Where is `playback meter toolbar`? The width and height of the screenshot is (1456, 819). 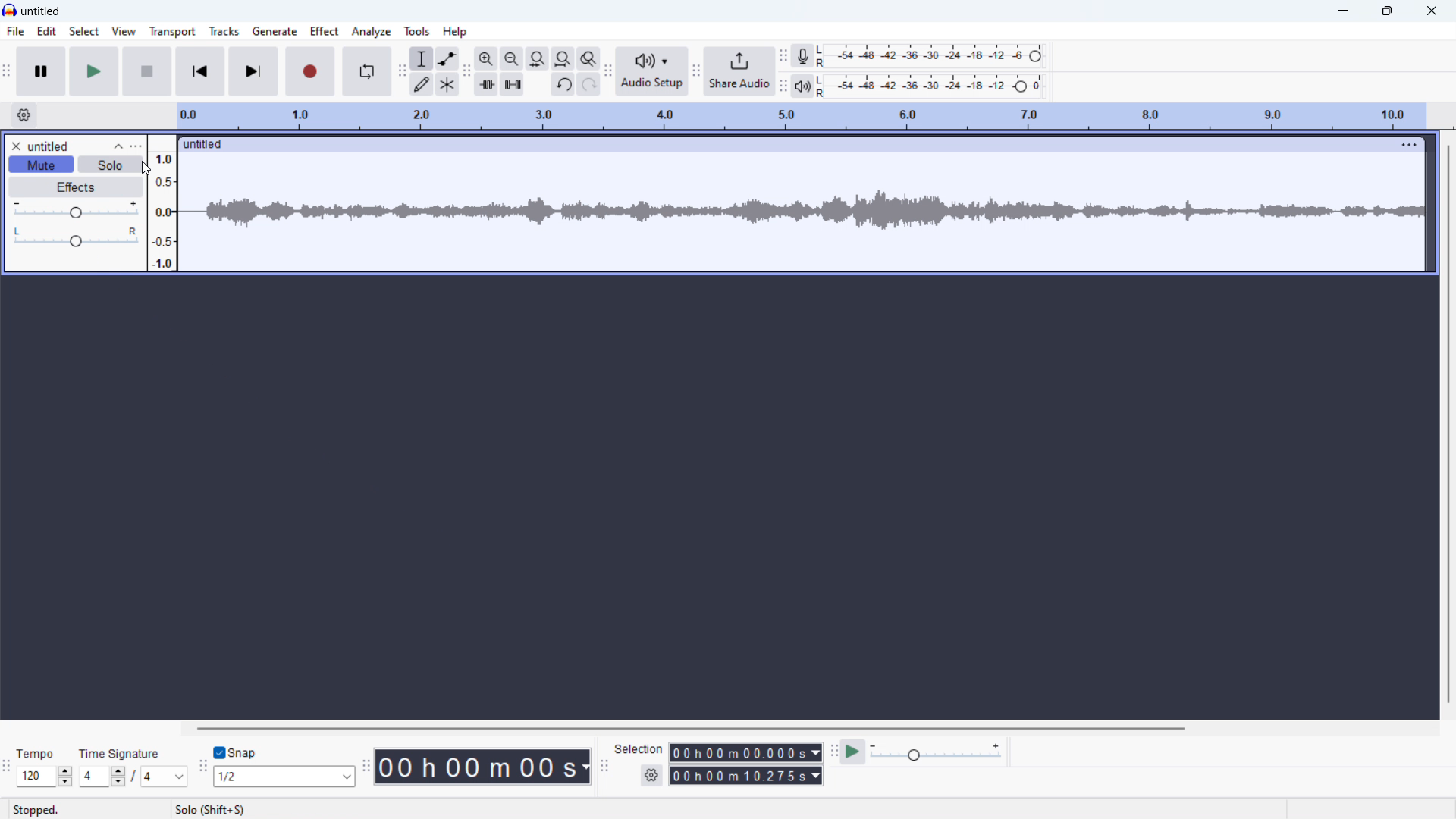 playback meter toolbar is located at coordinates (783, 86).